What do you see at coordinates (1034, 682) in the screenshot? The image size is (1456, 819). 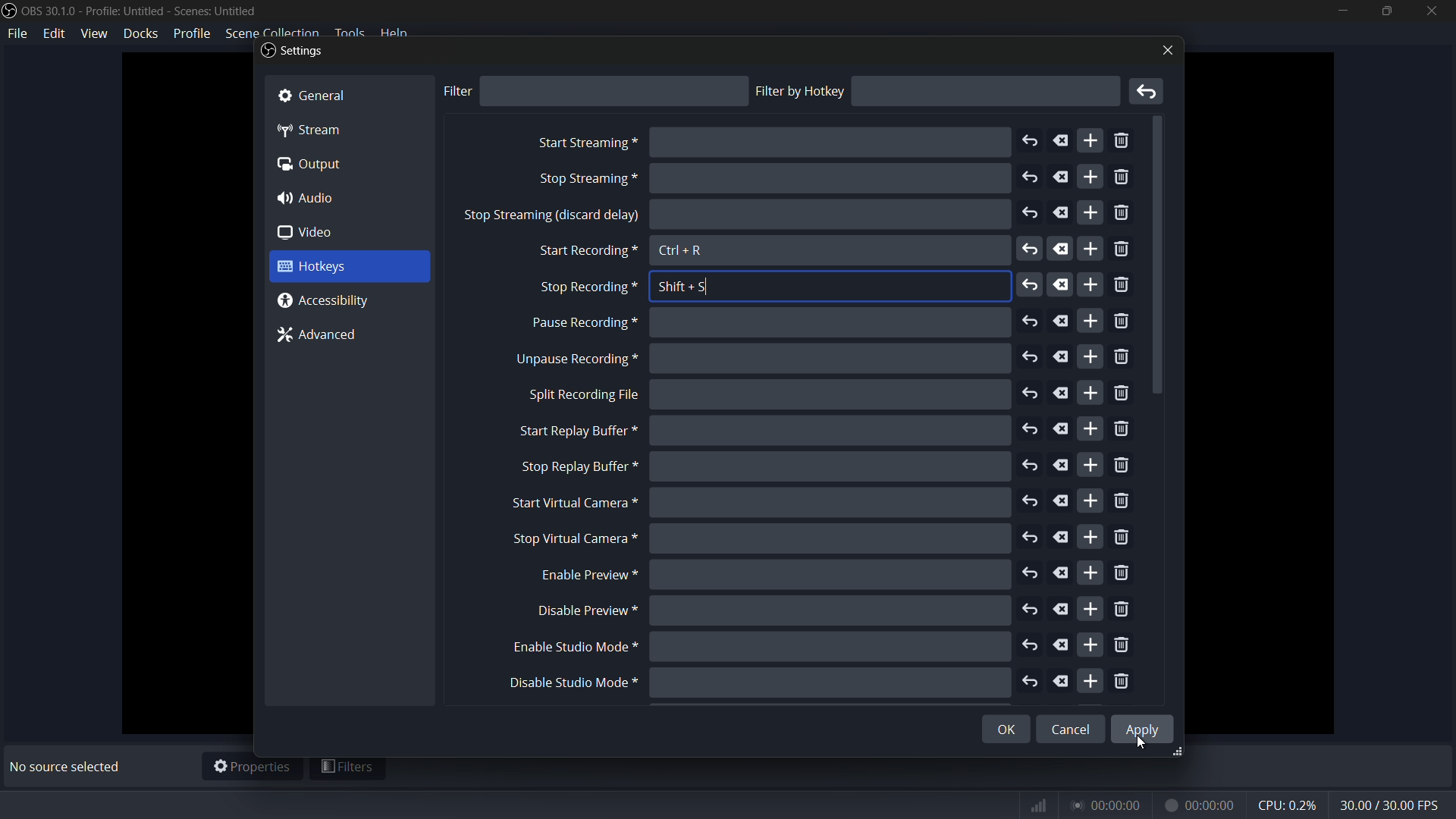 I see `undo` at bounding box center [1034, 682].